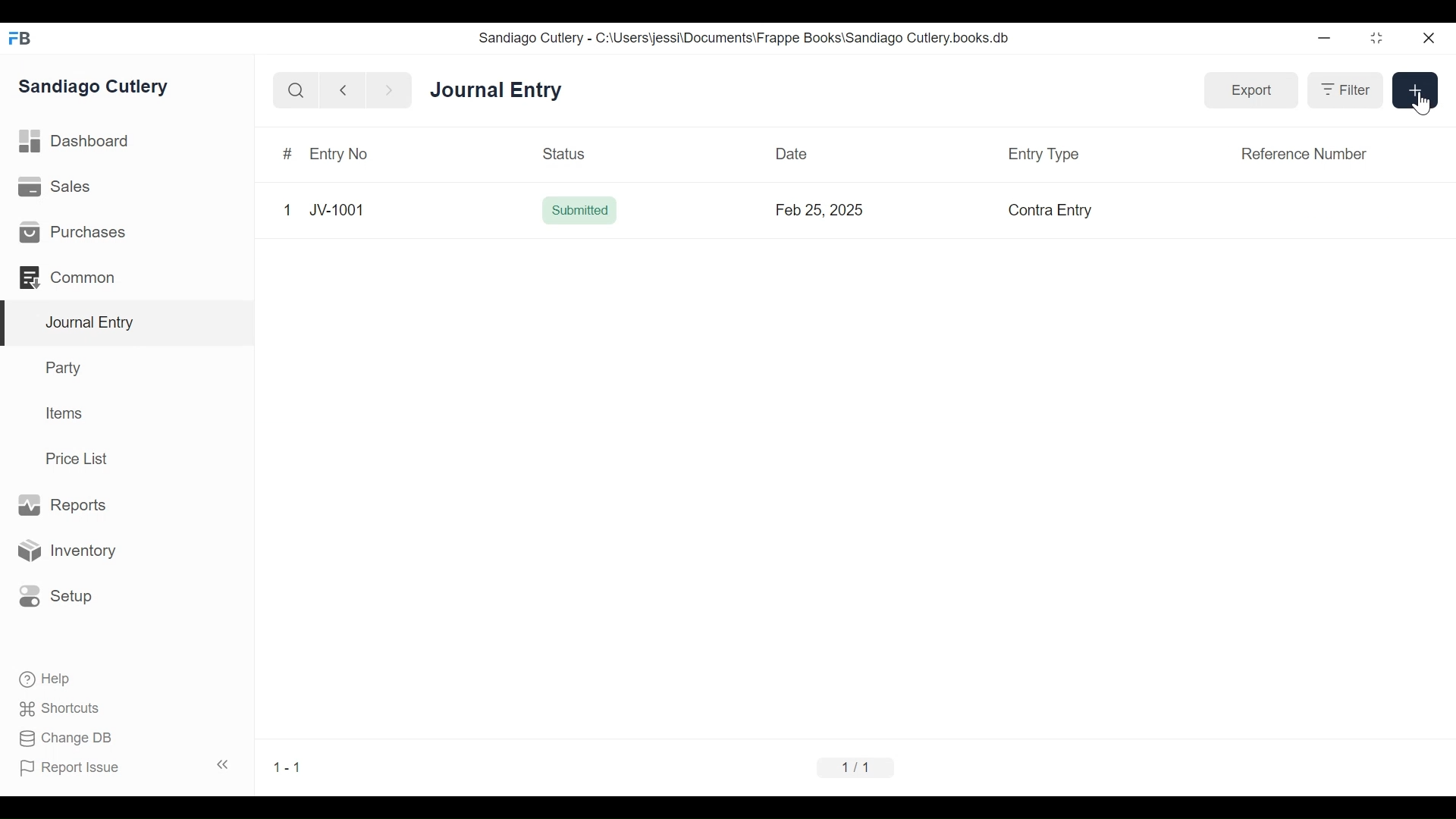  Describe the element at coordinates (297, 90) in the screenshot. I see `Search` at that location.